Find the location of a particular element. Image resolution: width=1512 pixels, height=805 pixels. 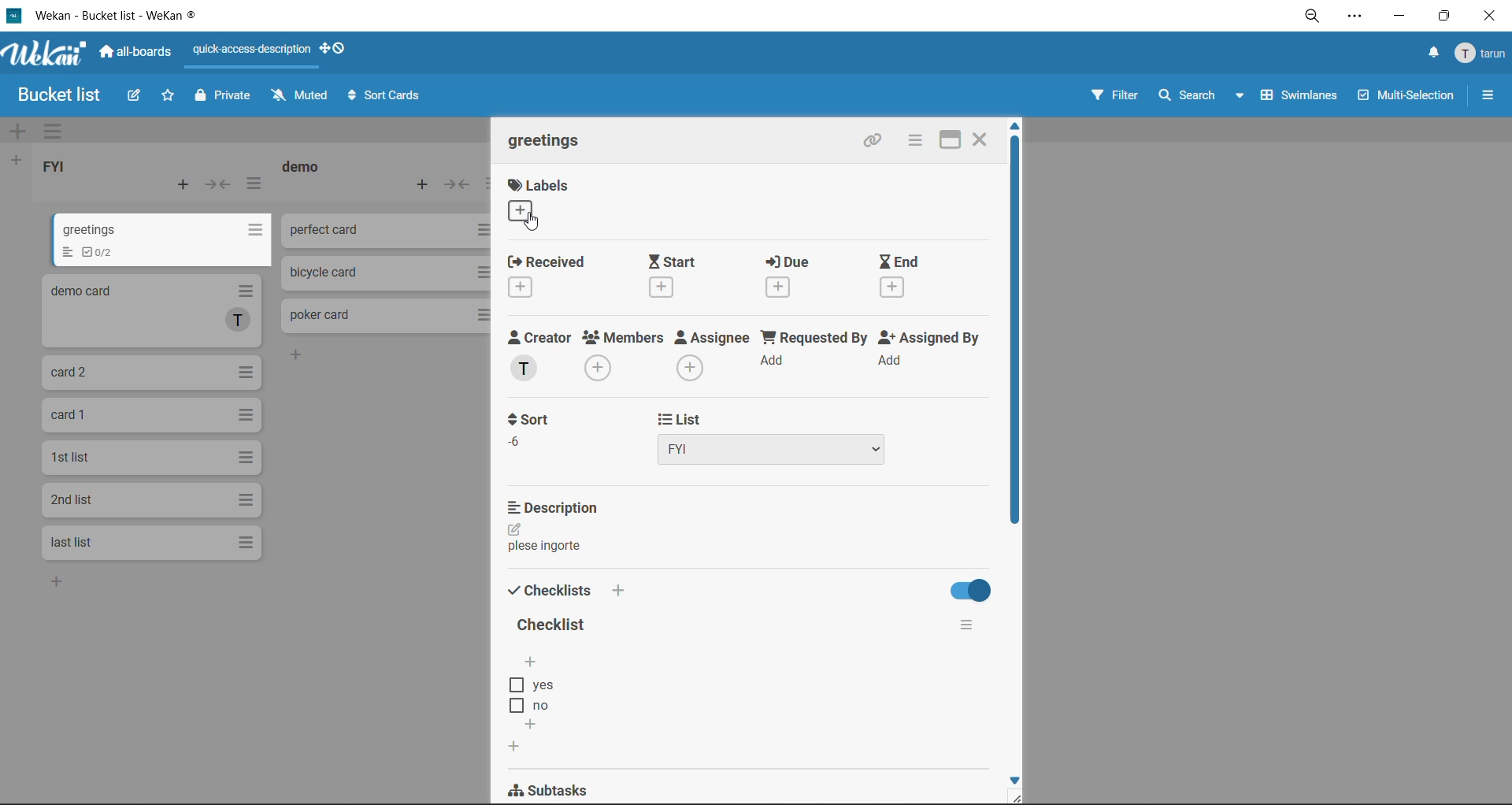

menu is located at coordinates (1483, 52).